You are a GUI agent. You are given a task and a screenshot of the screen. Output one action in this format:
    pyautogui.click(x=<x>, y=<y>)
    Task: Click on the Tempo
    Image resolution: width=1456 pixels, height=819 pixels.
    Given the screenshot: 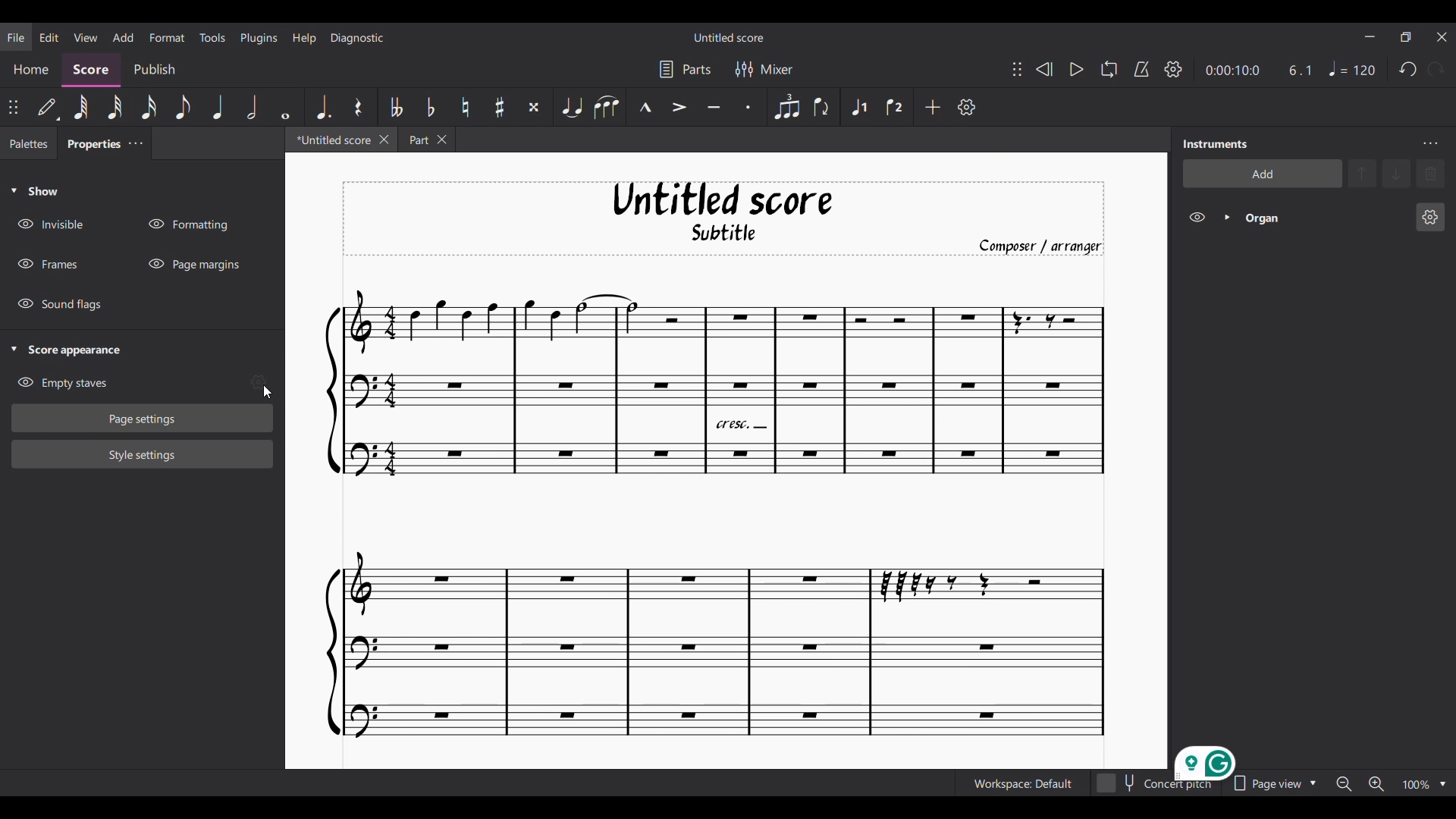 What is the action you would take?
    pyautogui.click(x=1352, y=68)
    